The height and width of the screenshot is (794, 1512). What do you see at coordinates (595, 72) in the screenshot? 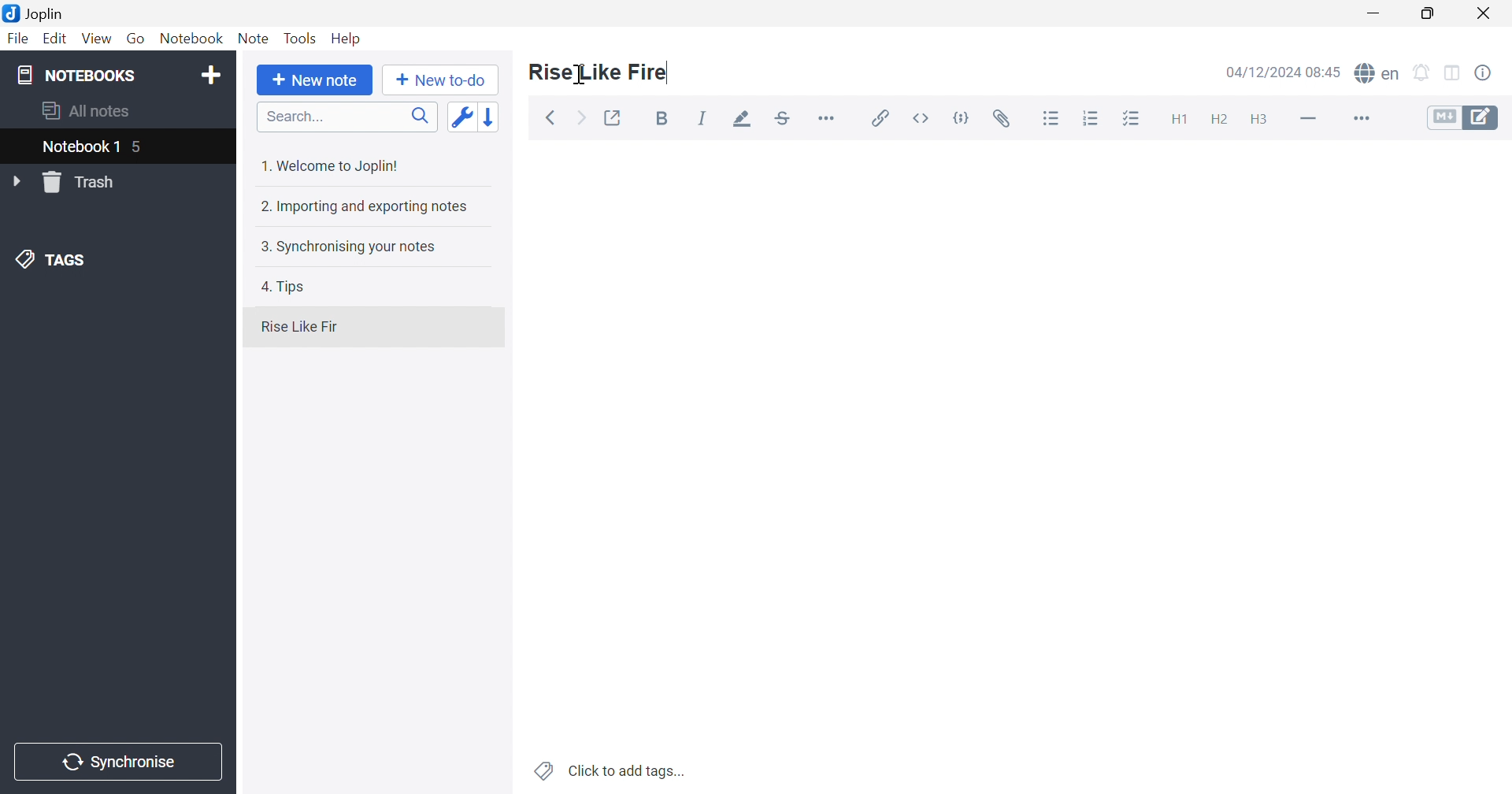
I see `Rise Like Fire` at bounding box center [595, 72].